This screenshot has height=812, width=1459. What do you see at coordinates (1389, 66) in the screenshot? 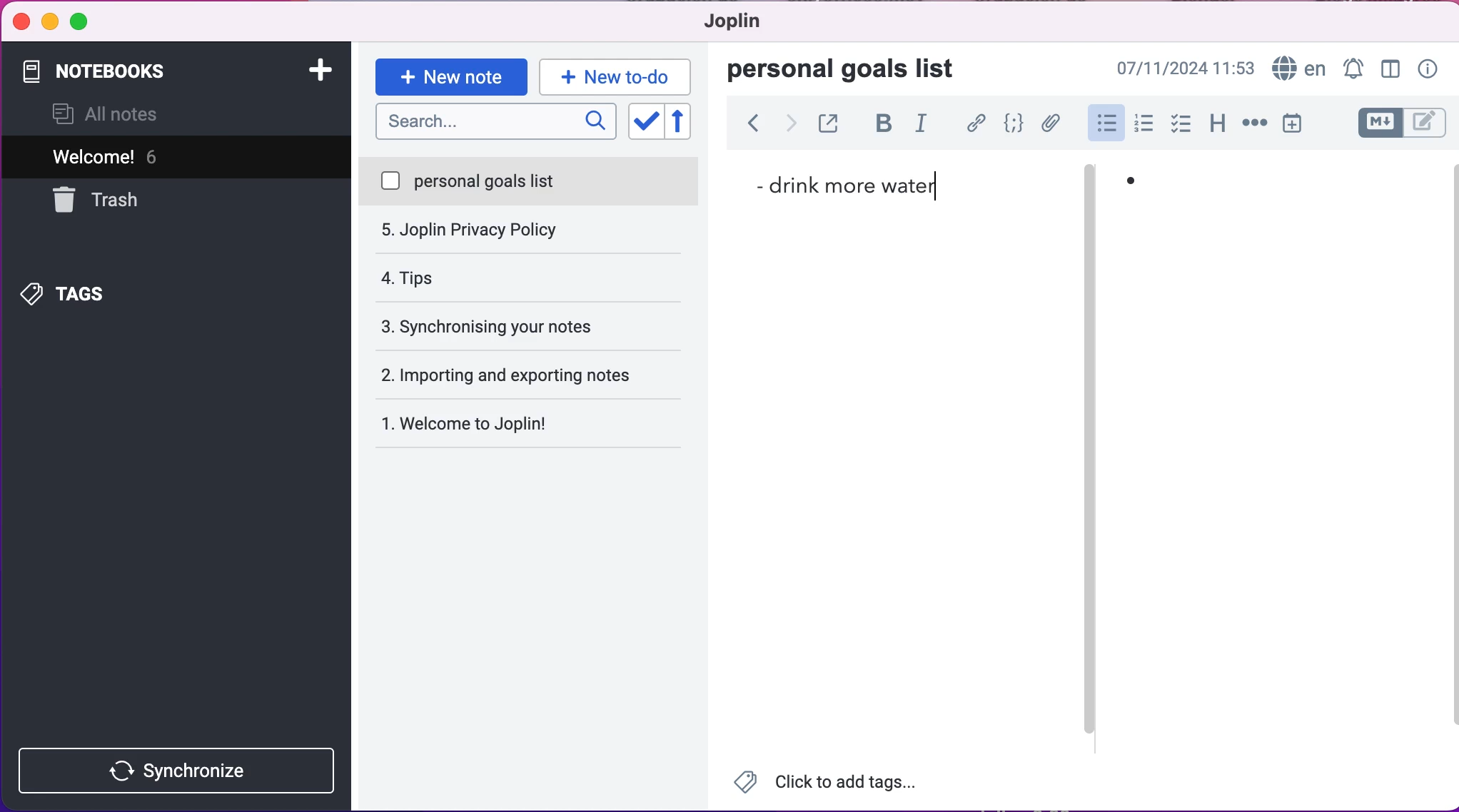
I see `toggle editor layour` at bounding box center [1389, 66].